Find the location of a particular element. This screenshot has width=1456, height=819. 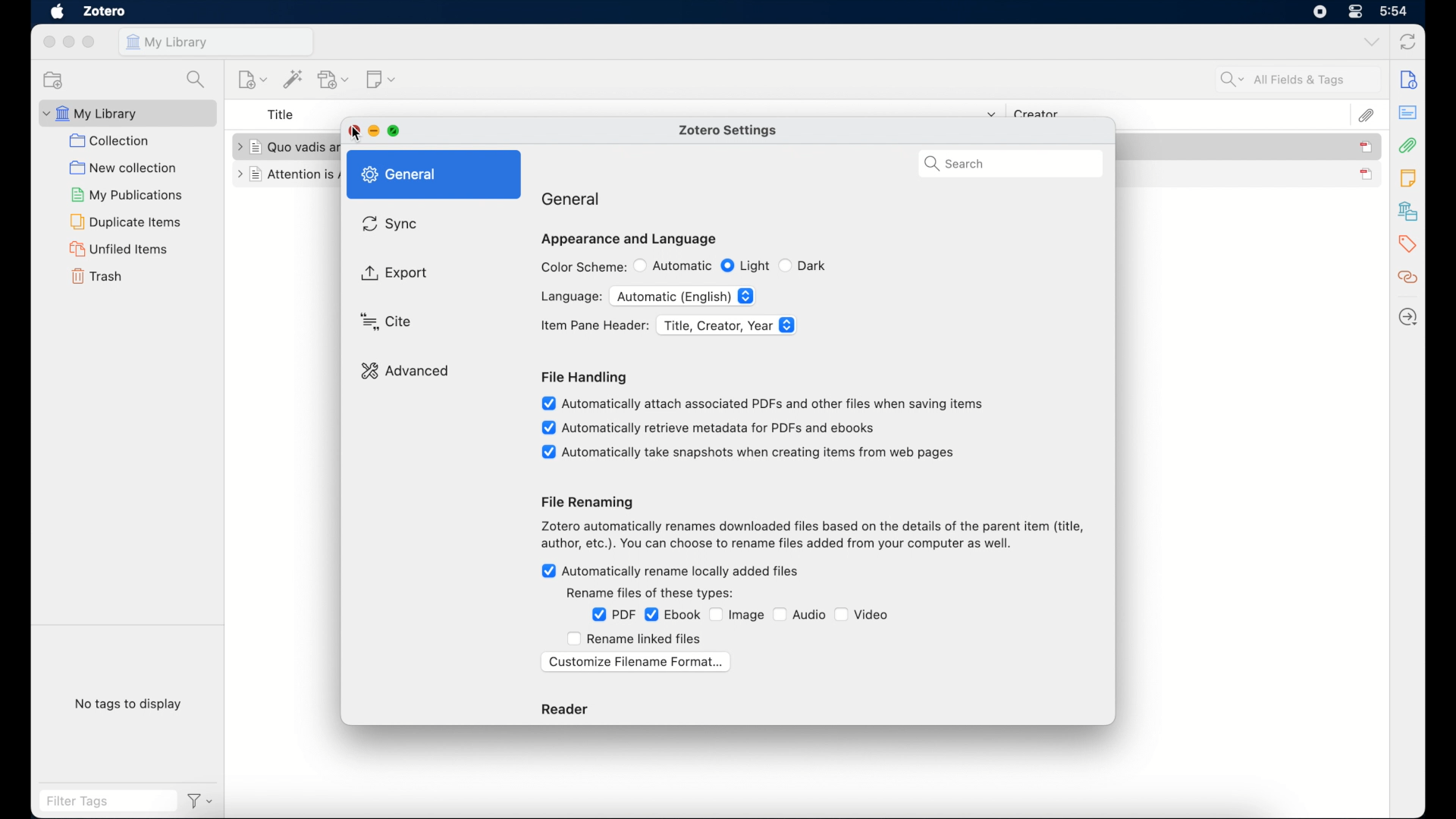

maximize is located at coordinates (90, 42).